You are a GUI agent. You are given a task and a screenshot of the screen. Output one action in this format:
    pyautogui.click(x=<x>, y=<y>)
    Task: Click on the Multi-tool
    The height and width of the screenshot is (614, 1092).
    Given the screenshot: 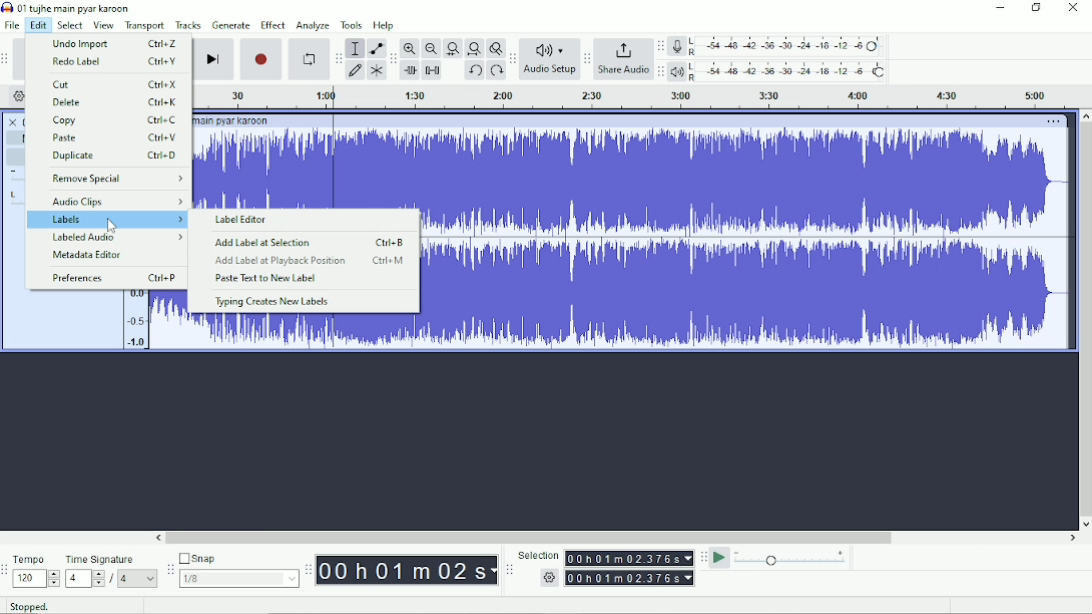 What is the action you would take?
    pyautogui.click(x=376, y=70)
    